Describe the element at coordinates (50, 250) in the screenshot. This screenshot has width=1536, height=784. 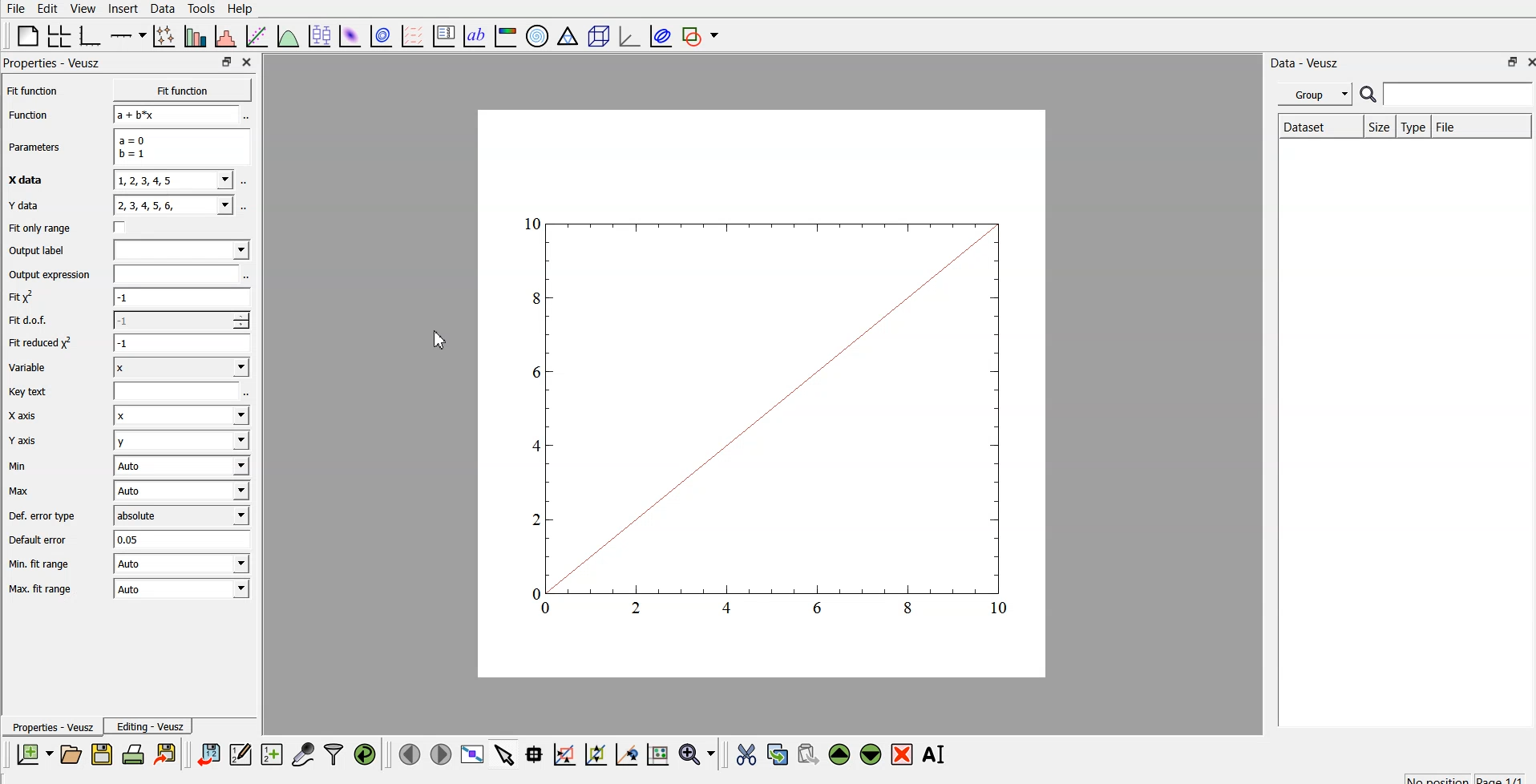
I see `Output label` at that location.